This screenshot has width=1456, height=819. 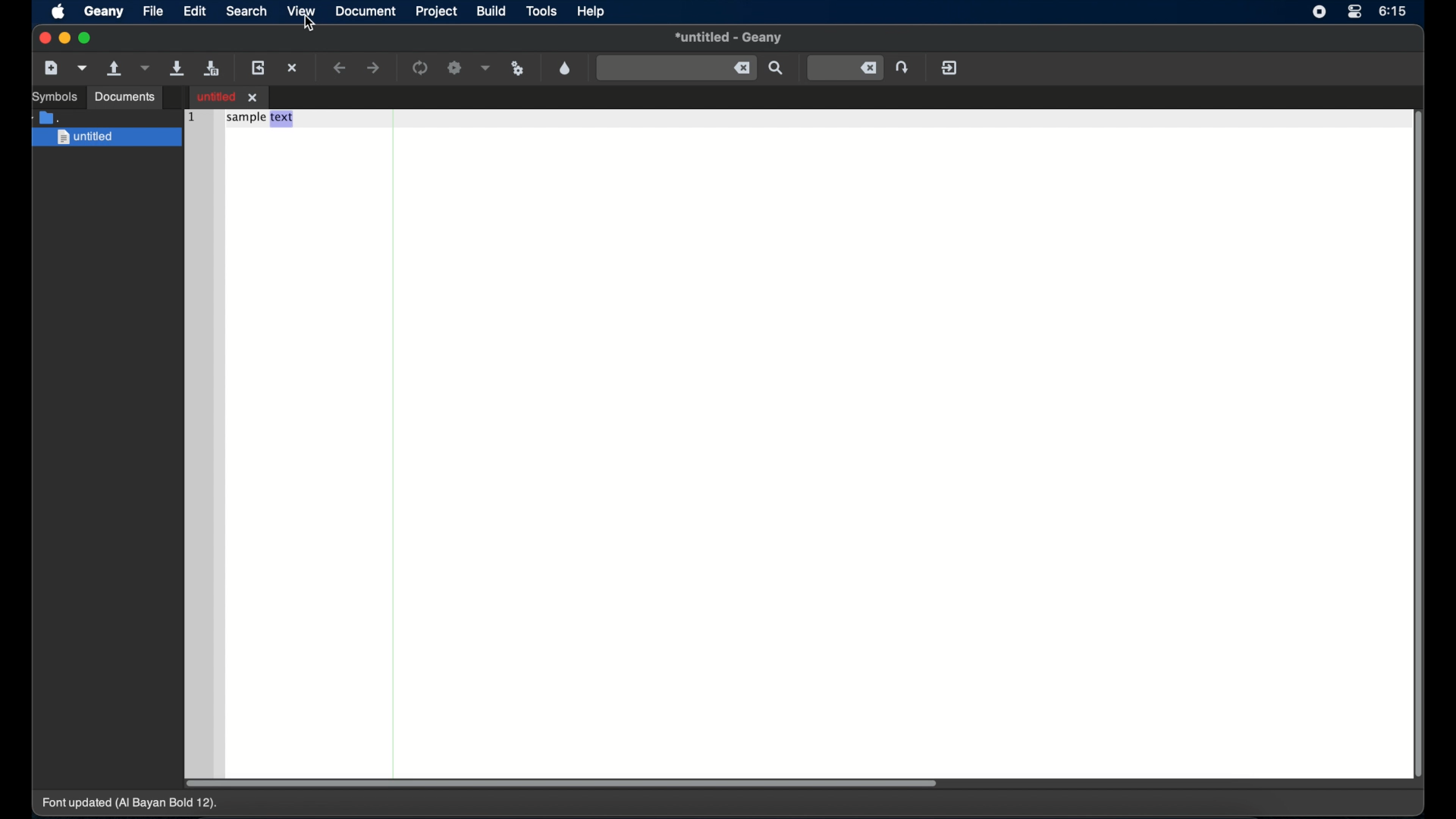 What do you see at coordinates (87, 38) in the screenshot?
I see `maximize` at bounding box center [87, 38].